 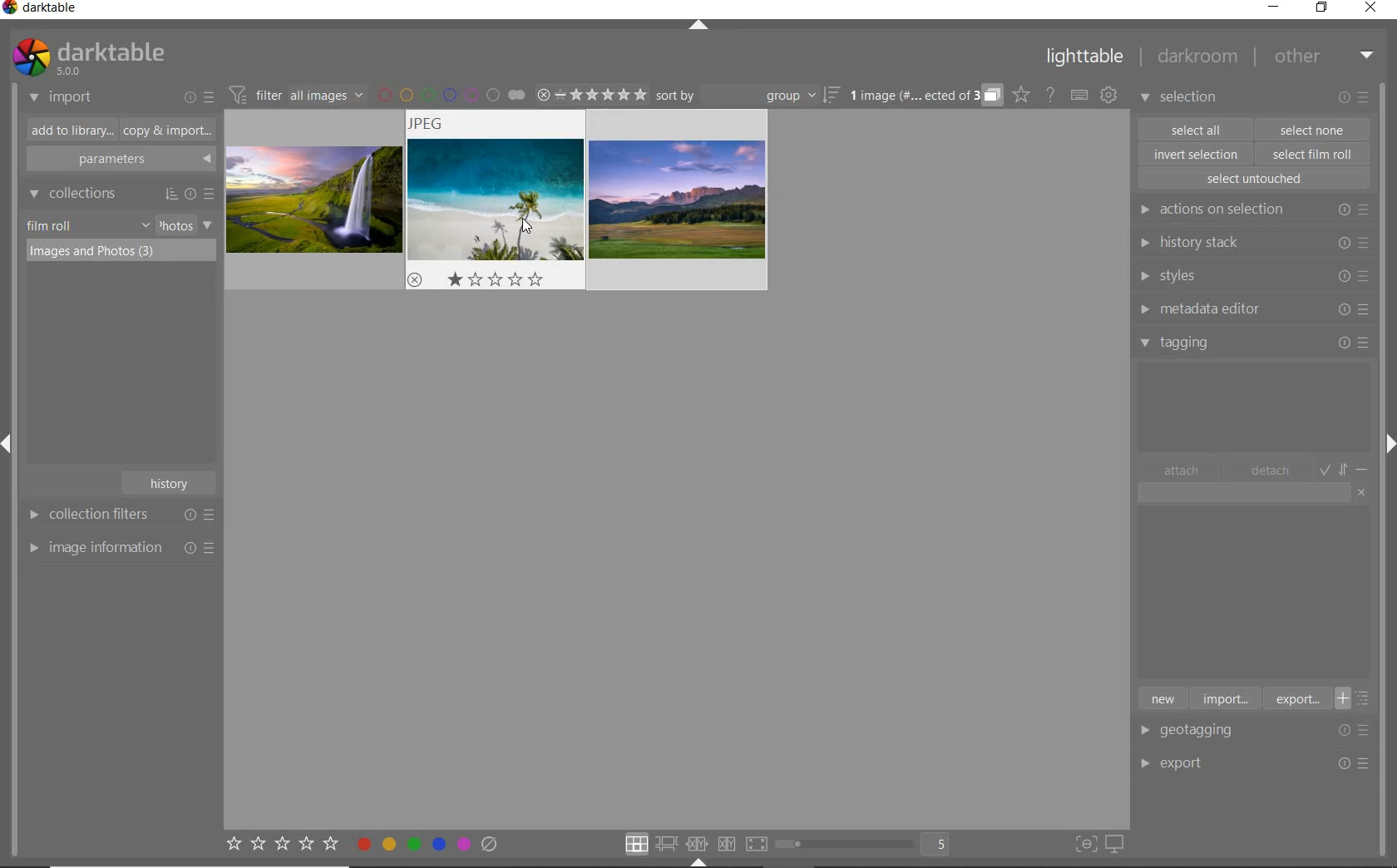 What do you see at coordinates (1201, 762) in the screenshot?
I see `export` at bounding box center [1201, 762].